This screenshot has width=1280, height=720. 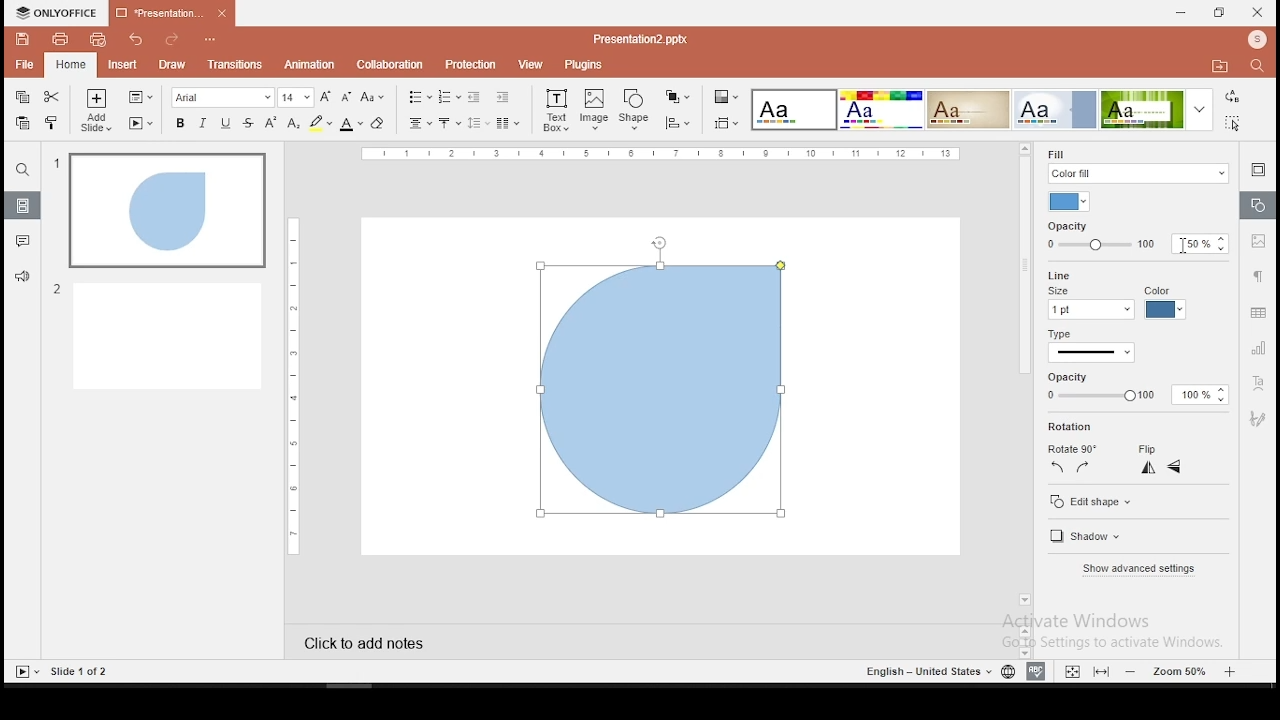 I want to click on close window, so click(x=1258, y=12).